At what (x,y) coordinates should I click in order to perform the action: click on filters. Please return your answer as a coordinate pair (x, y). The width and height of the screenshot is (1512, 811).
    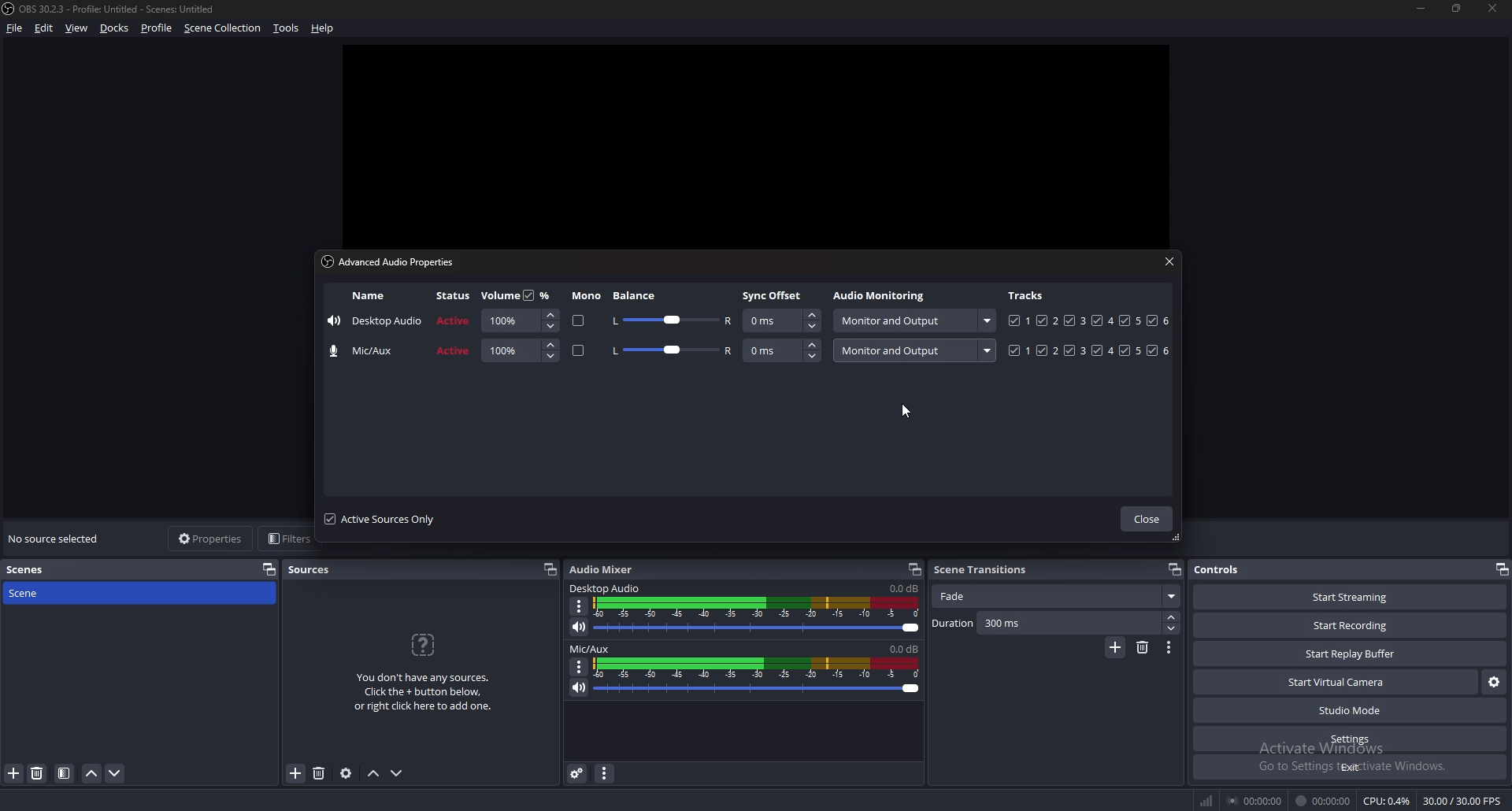
    Looking at the image, I should click on (286, 539).